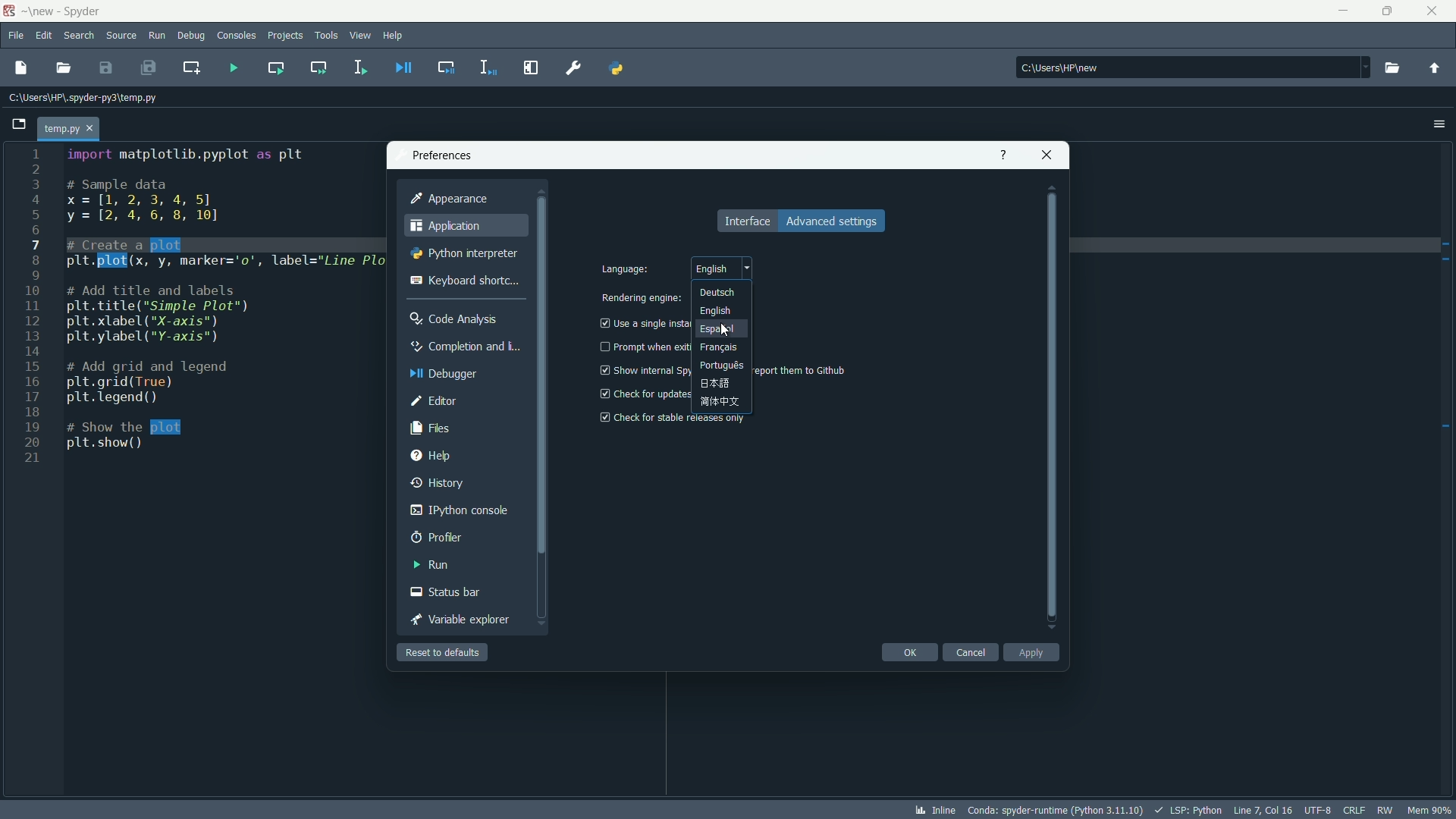 The height and width of the screenshot is (819, 1456). Describe the element at coordinates (604, 369) in the screenshot. I see `checkbox` at that location.